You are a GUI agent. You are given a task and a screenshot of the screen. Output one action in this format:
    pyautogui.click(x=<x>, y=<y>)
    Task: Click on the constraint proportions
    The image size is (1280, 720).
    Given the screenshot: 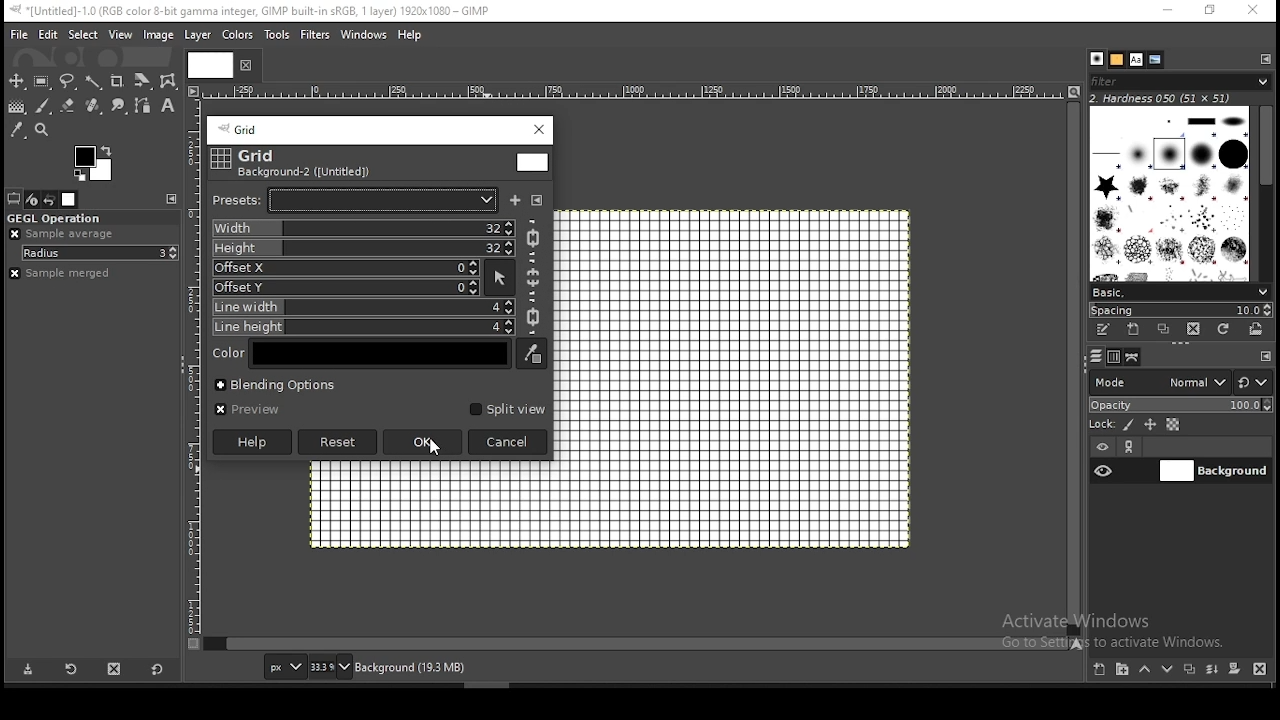 What is the action you would take?
    pyautogui.click(x=531, y=237)
    